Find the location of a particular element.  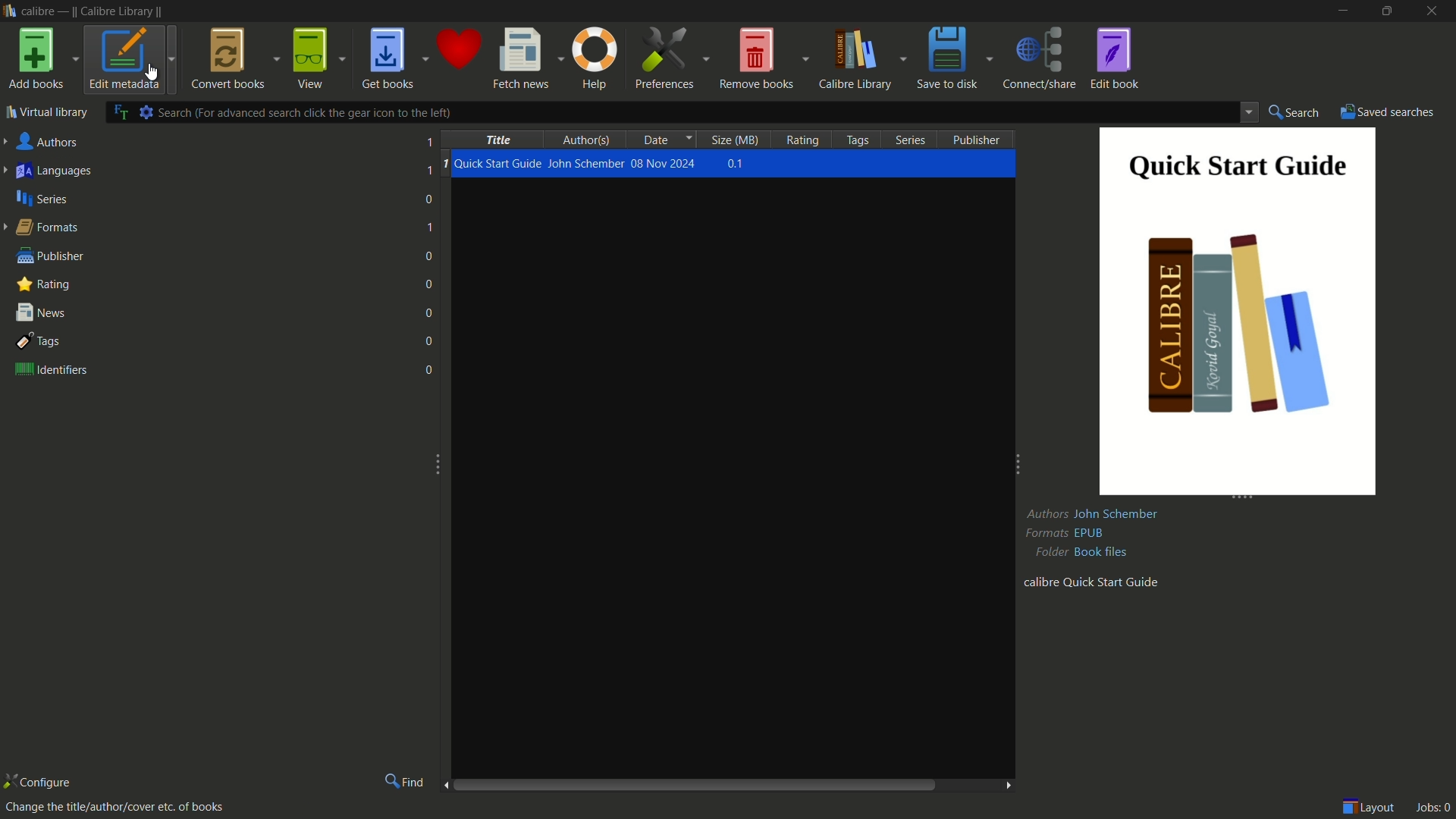

languages is located at coordinates (52, 171).